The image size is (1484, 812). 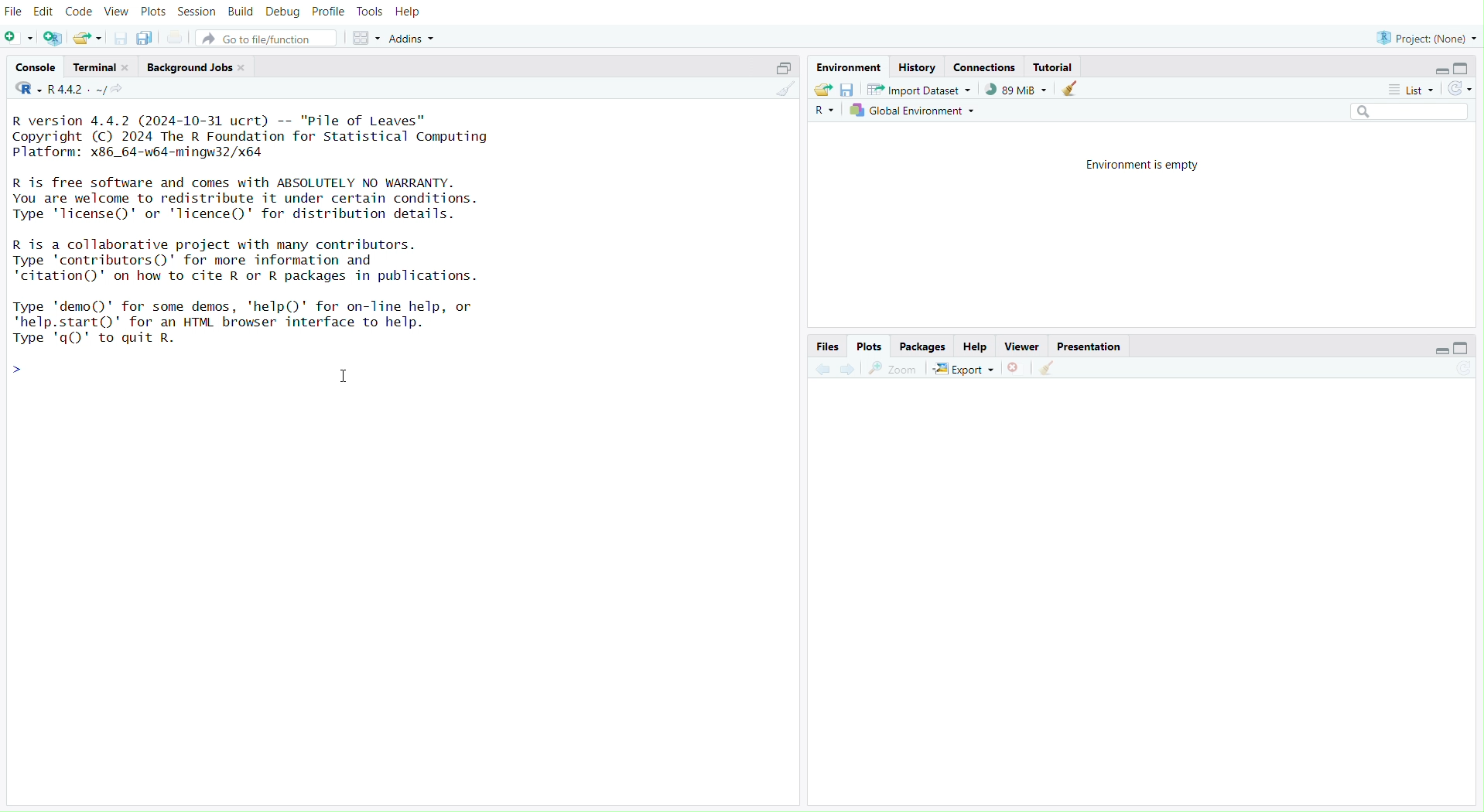 I want to click on Help, so click(x=412, y=10).